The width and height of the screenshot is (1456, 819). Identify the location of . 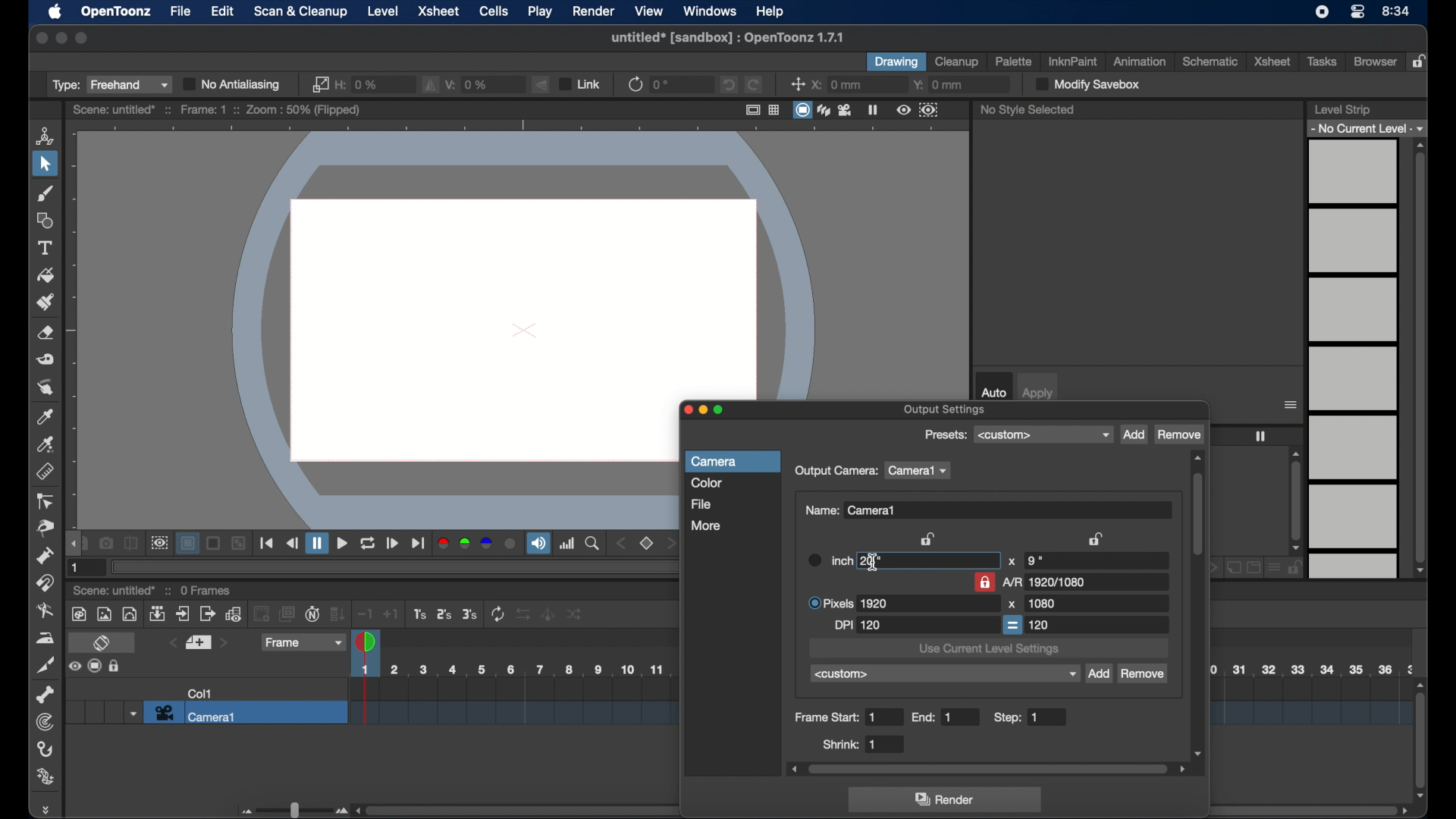
(318, 544).